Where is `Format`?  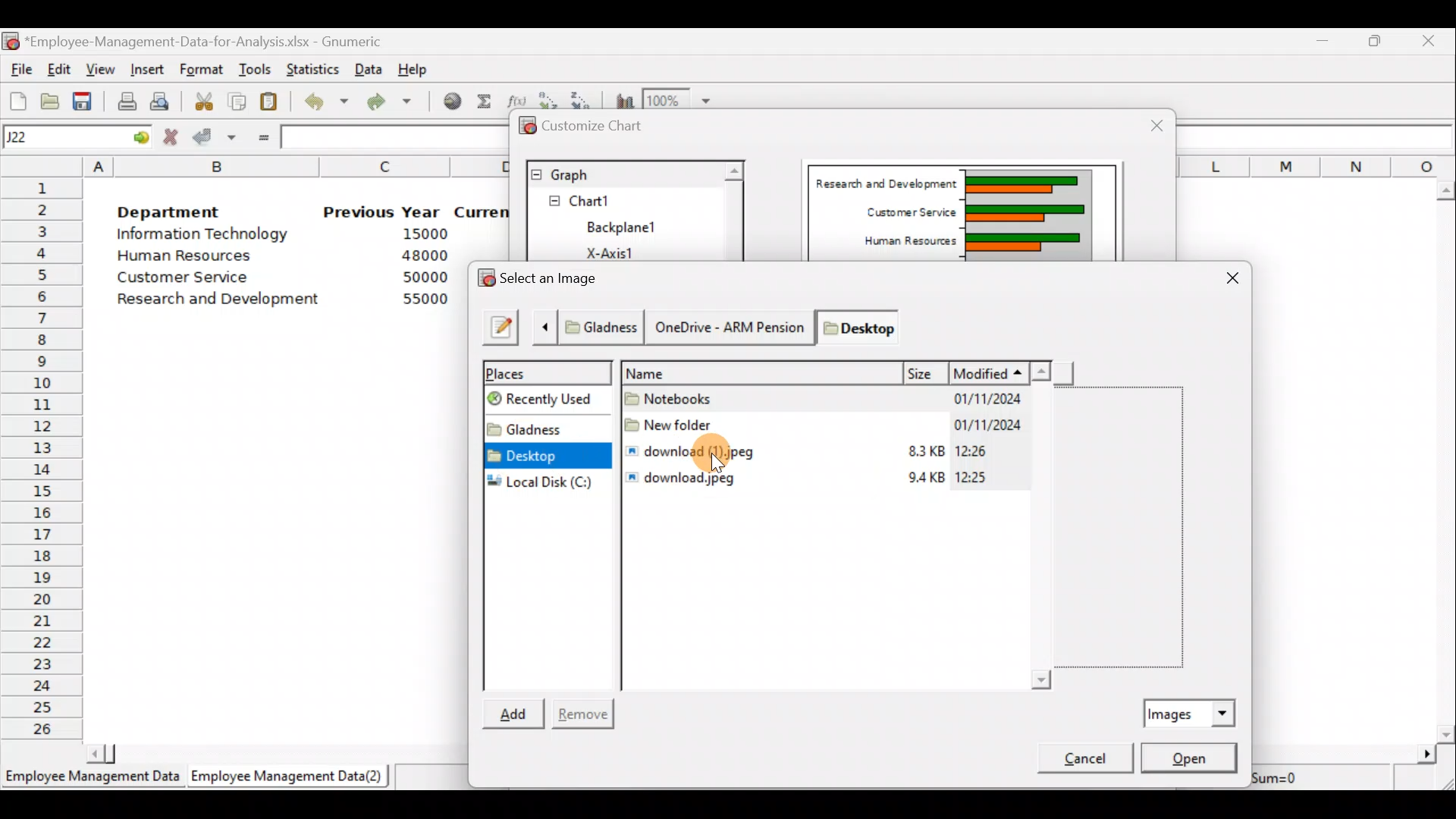
Format is located at coordinates (203, 67).